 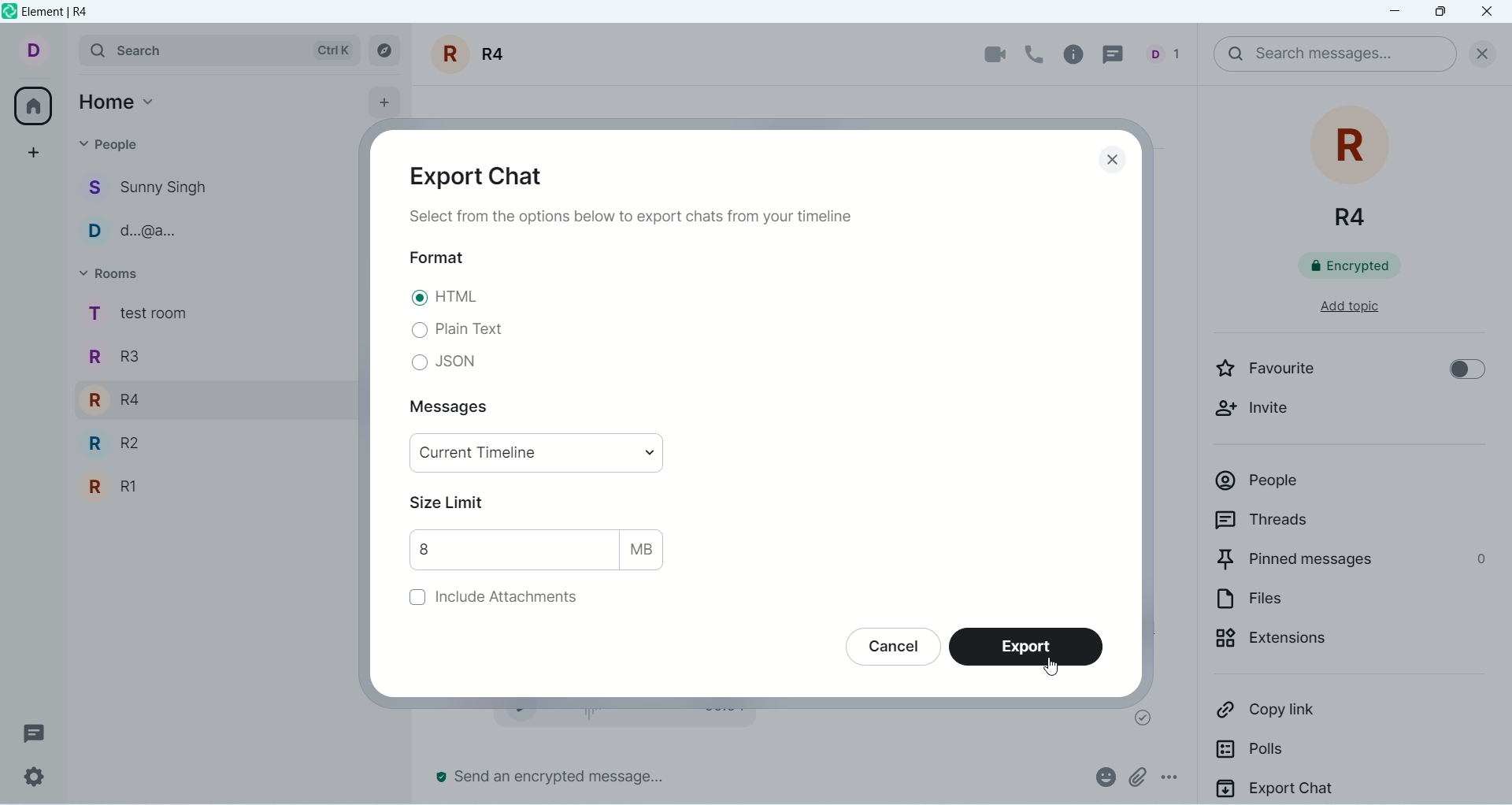 What do you see at coordinates (1315, 711) in the screenshot?
I see `copy link` at bounding box center [1315, 711].